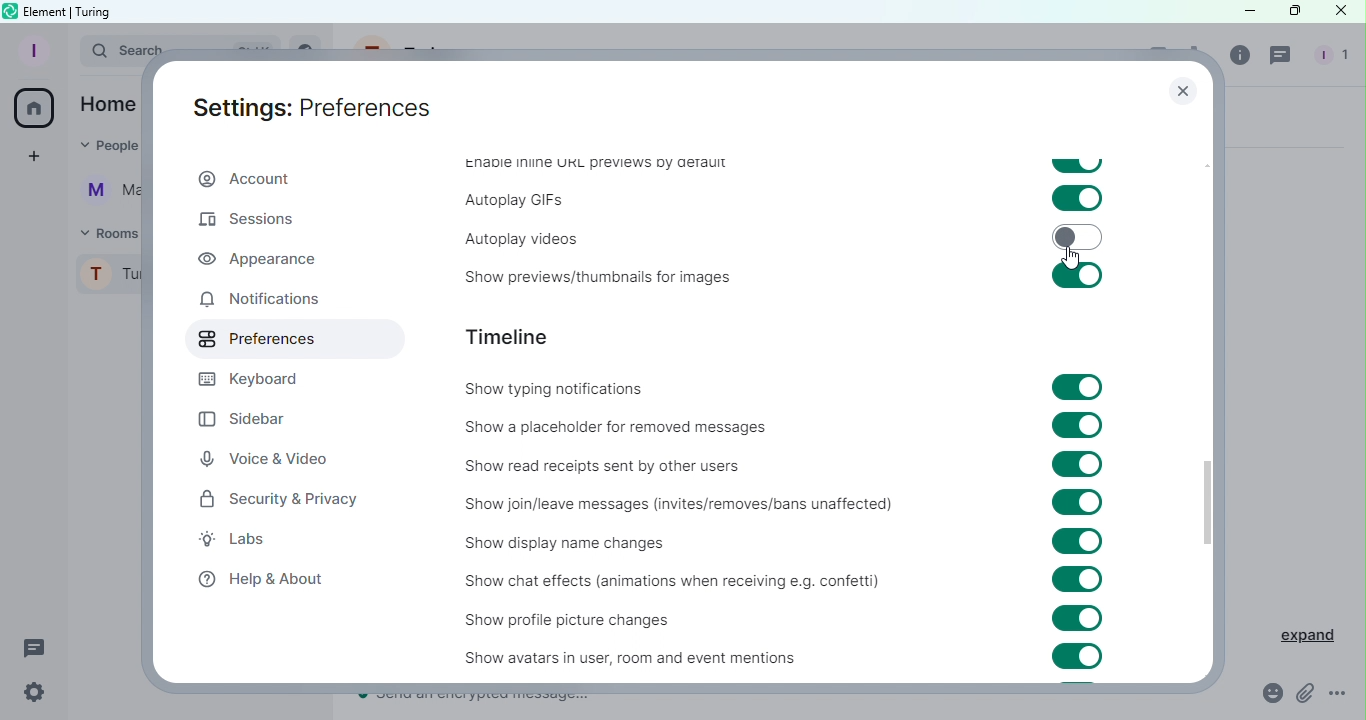 This screenshot has width=1366, height=720. I want to click on Rooms, so click(106, 232).